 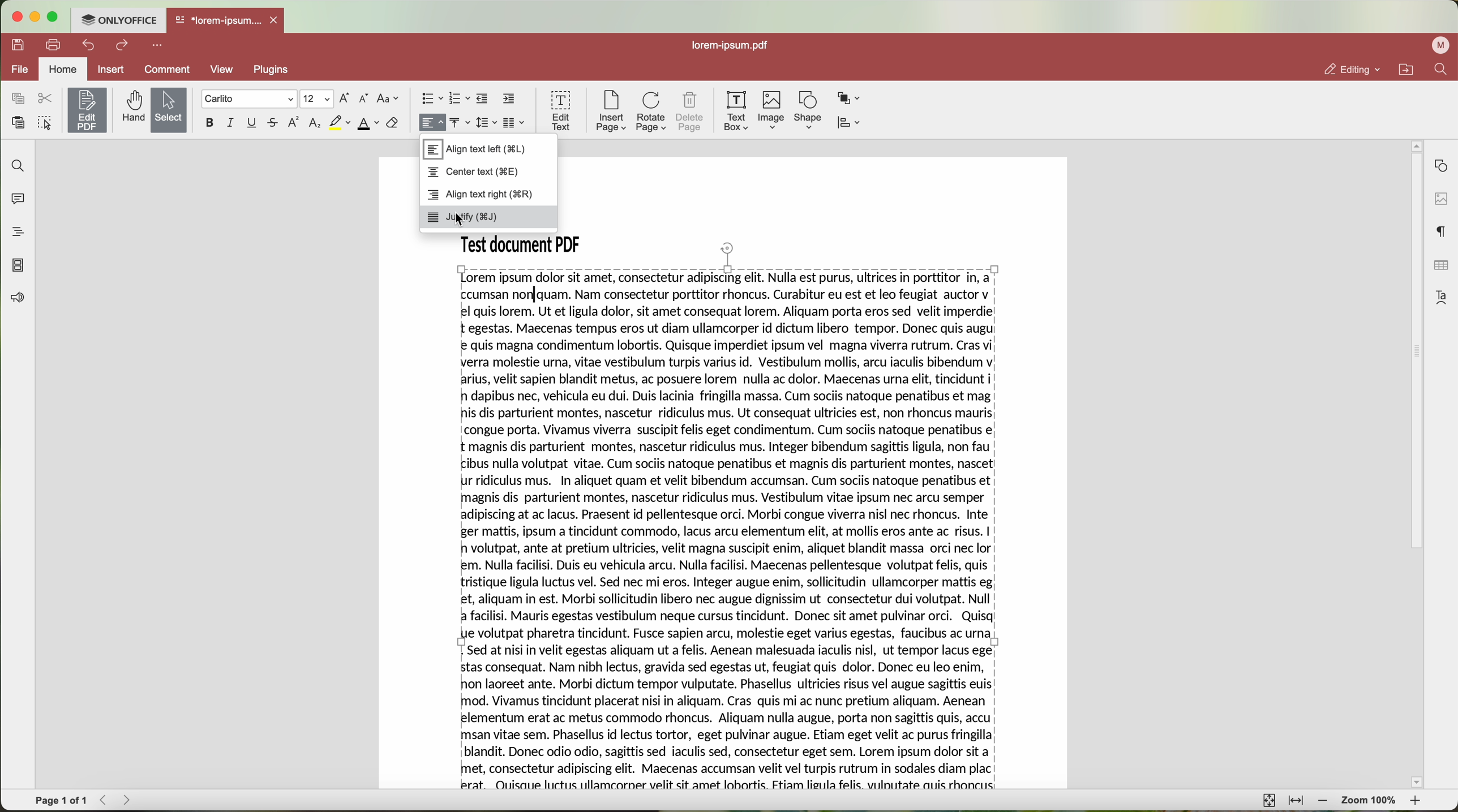 What do you see at coordinates (55, 17) in the screenshot?
I see `maximize` at bounding box center [55, 17].